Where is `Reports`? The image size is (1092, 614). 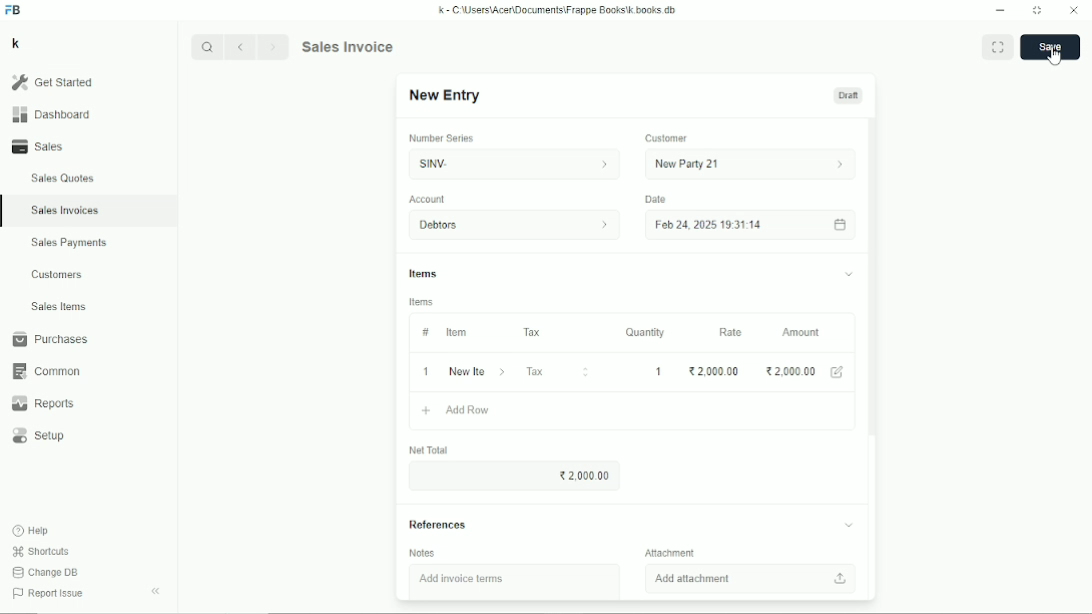
Reports is located at coordinates (42, 404).